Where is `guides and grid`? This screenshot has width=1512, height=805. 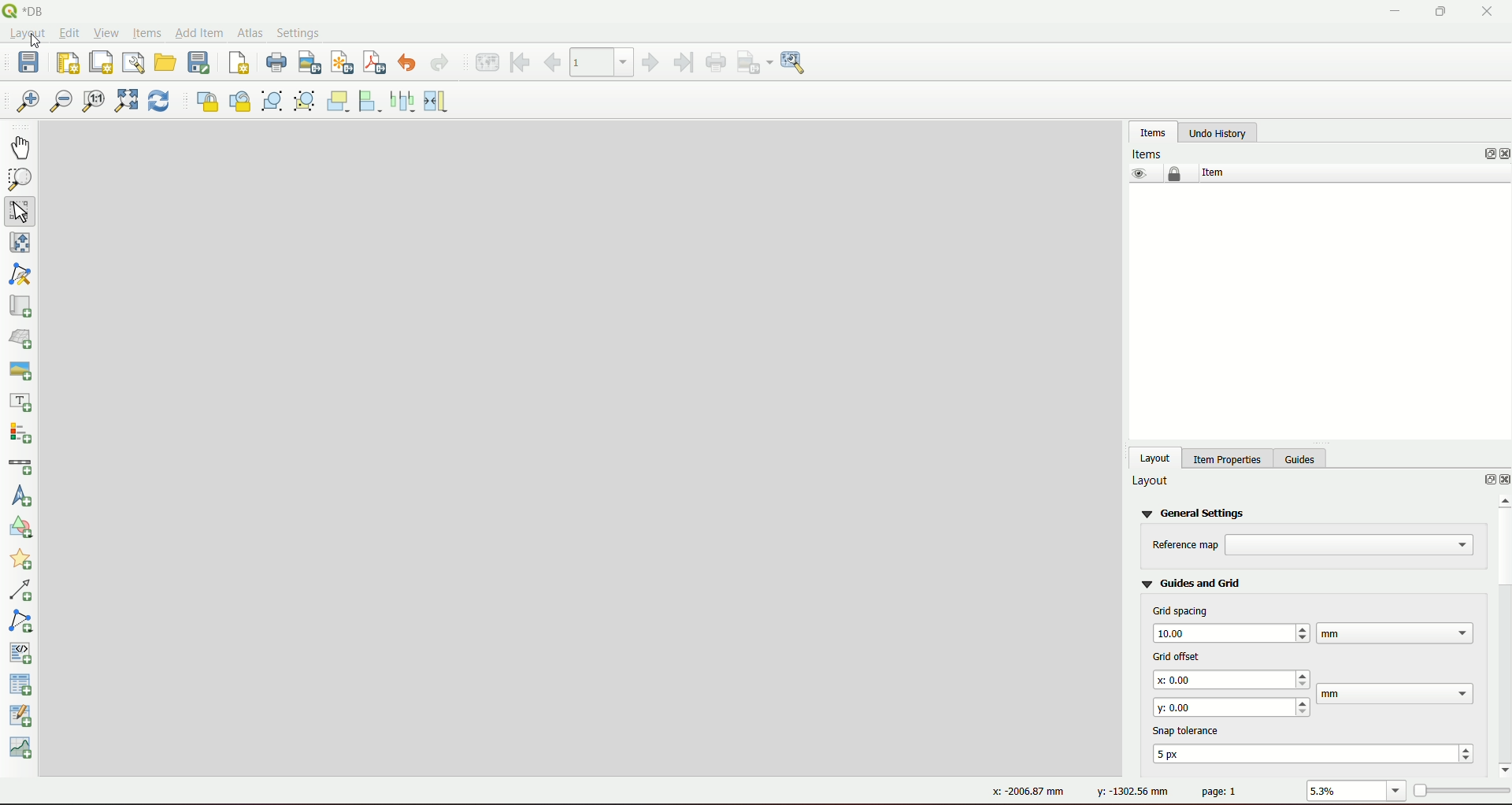
guides and grid is located at coordinates (1191, 582).